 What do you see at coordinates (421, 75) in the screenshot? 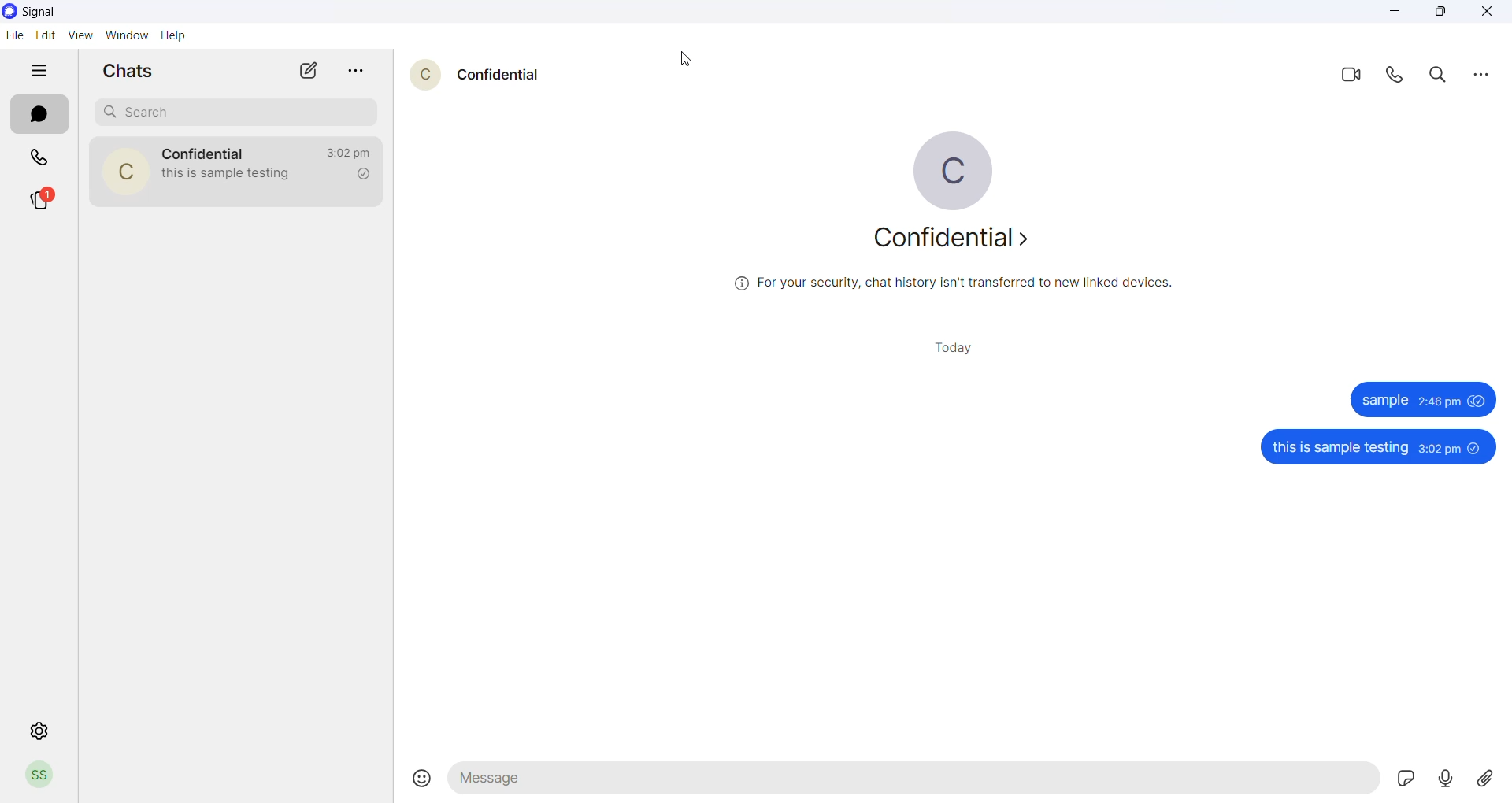
I see `profile picture` at bounding box center [421, 75].